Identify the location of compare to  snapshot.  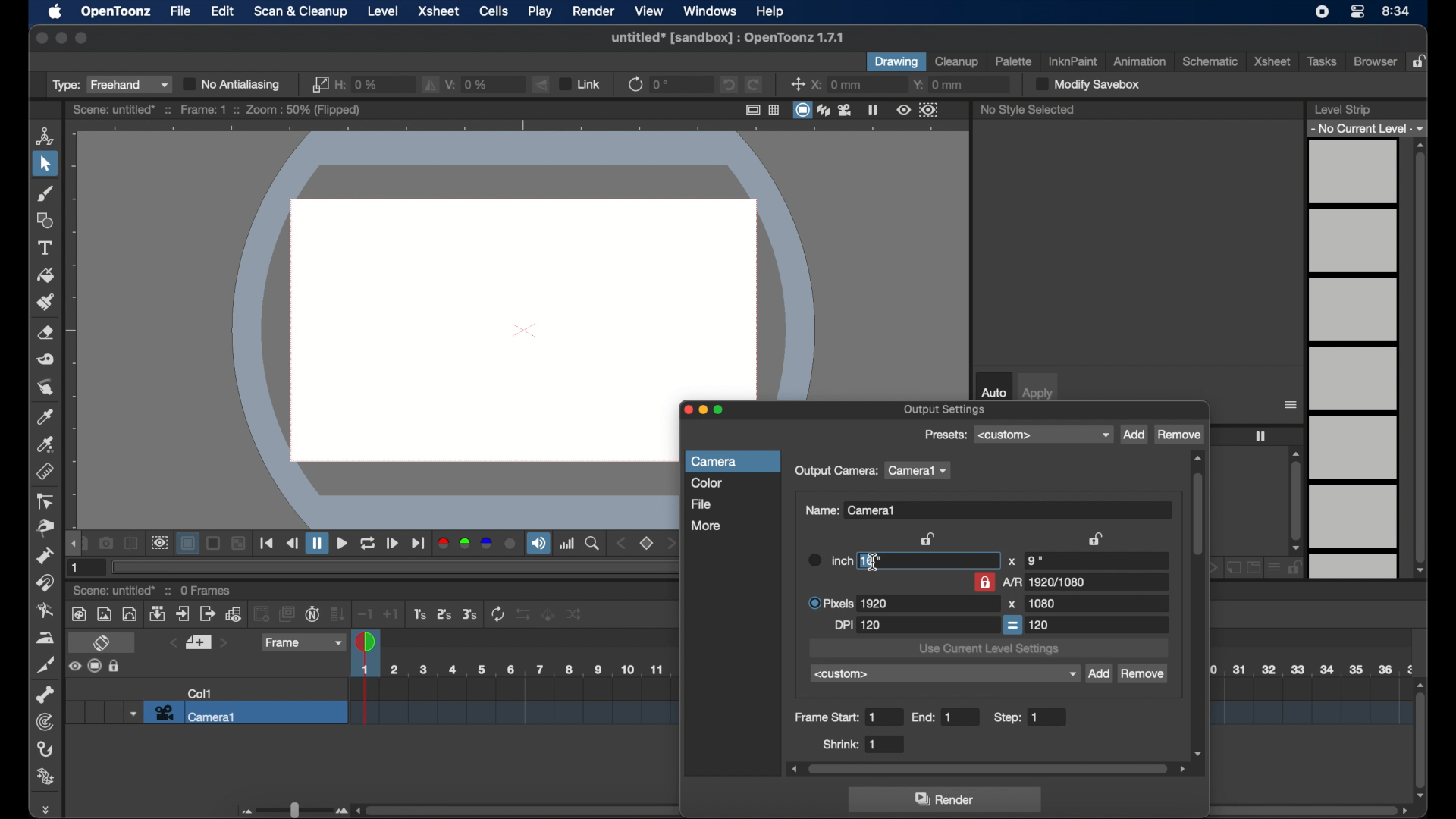
(131, 544).